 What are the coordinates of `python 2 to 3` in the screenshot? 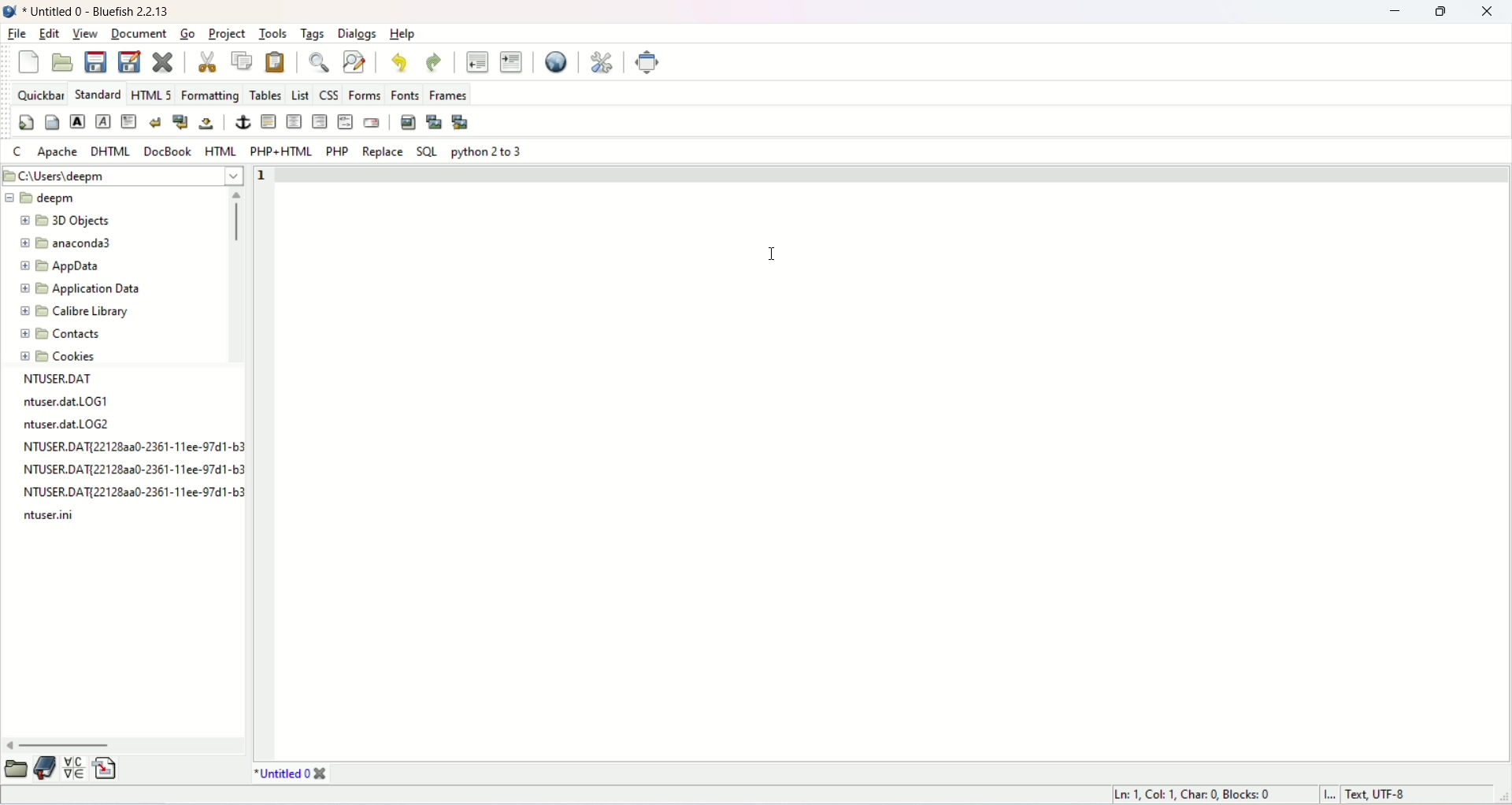 It's located at (489, 154).